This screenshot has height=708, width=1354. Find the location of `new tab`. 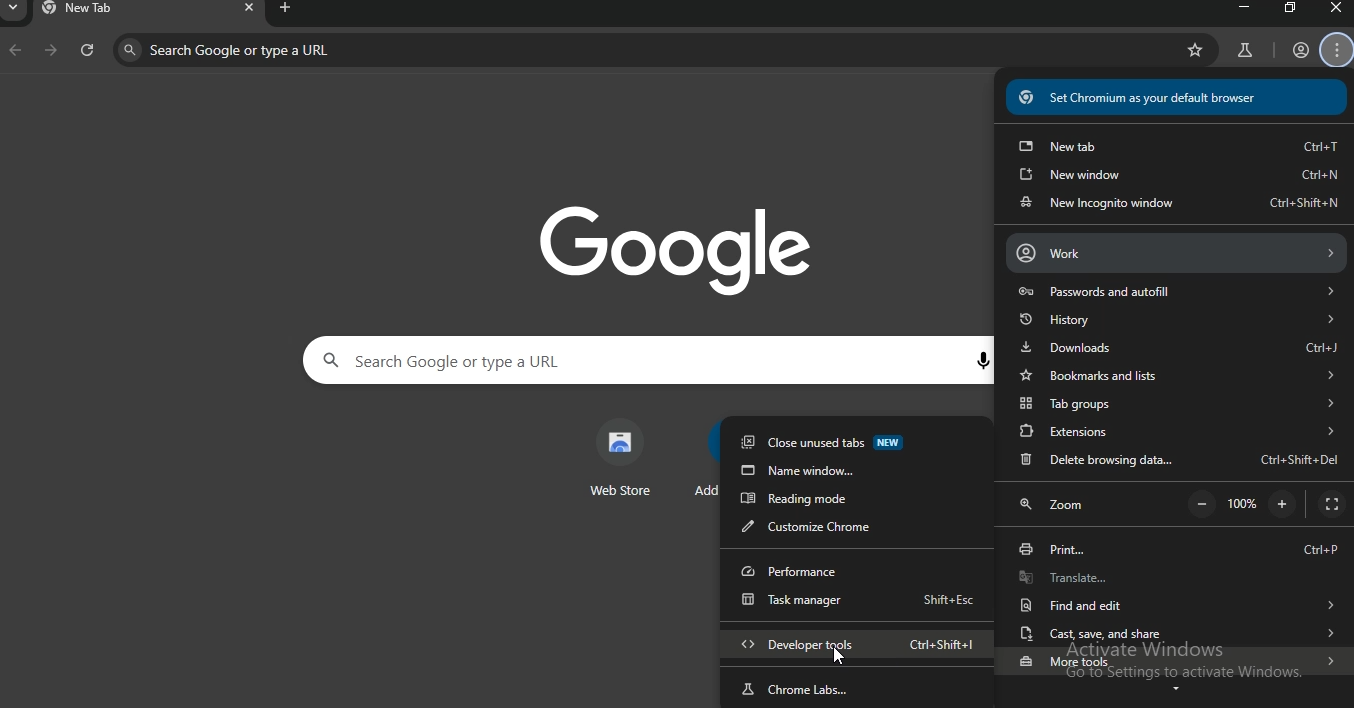

new tab is located at coordinates (1179, 146).